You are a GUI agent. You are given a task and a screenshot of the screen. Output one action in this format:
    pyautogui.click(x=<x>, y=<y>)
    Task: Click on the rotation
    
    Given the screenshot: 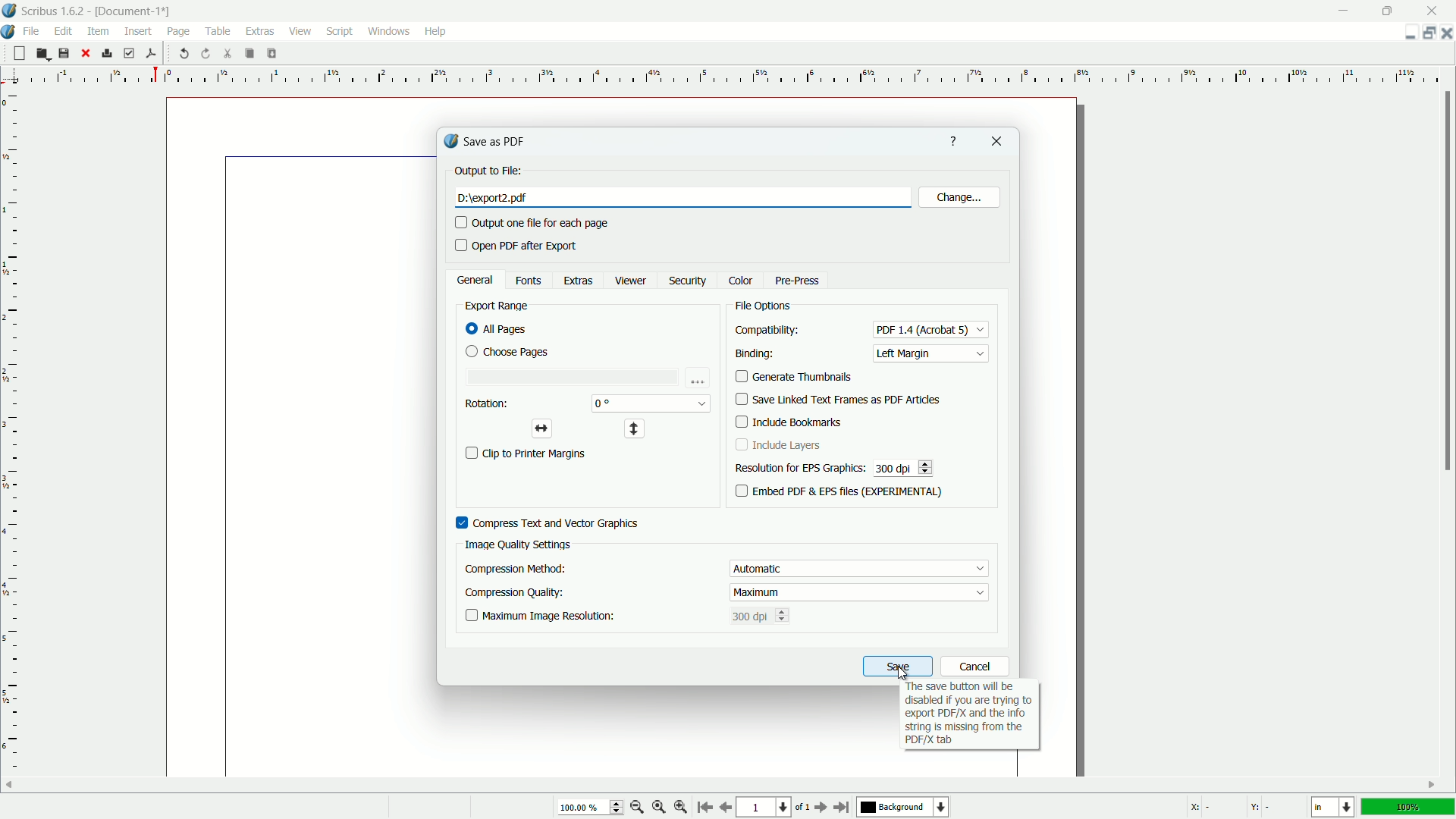 What is the action you would take?
    pyautogui.click(x=485, y=403)
    